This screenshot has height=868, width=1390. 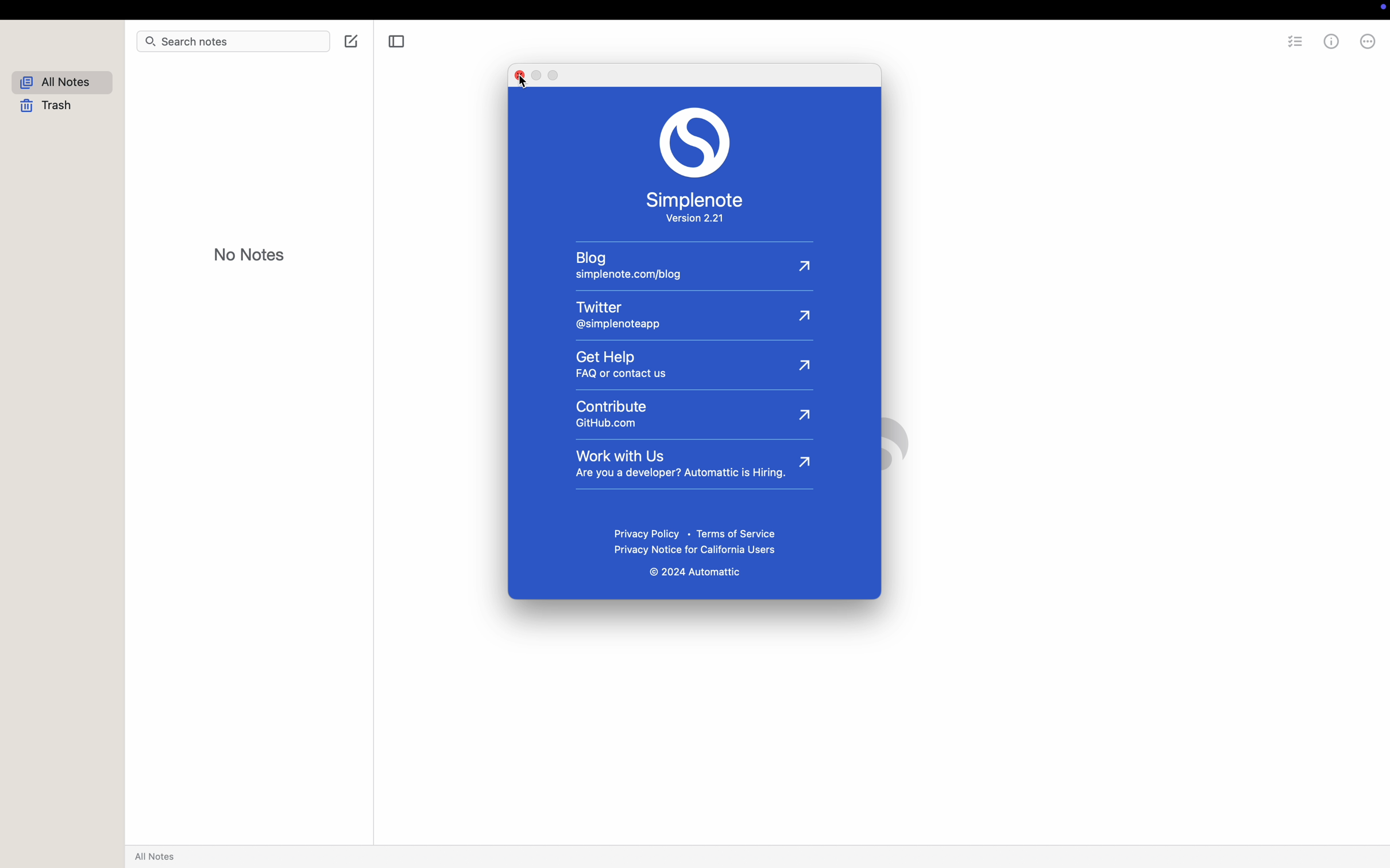 What do you see at coordinates (20, 9) in the screenshot?
I see `Apple icon` at bounding box center [20, 9].